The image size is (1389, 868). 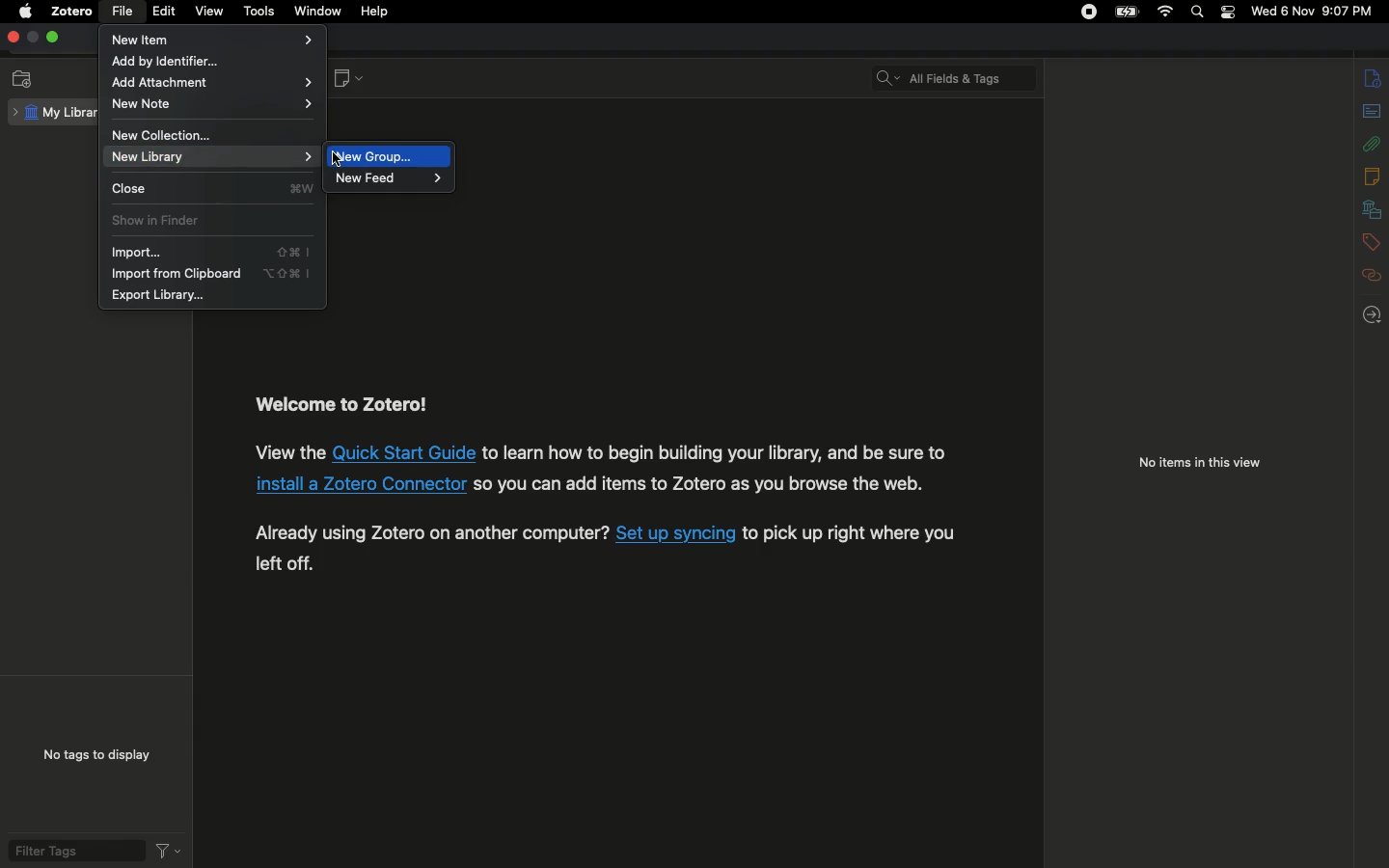 I want to click on Add by identifier, so click(x=193, y=63).